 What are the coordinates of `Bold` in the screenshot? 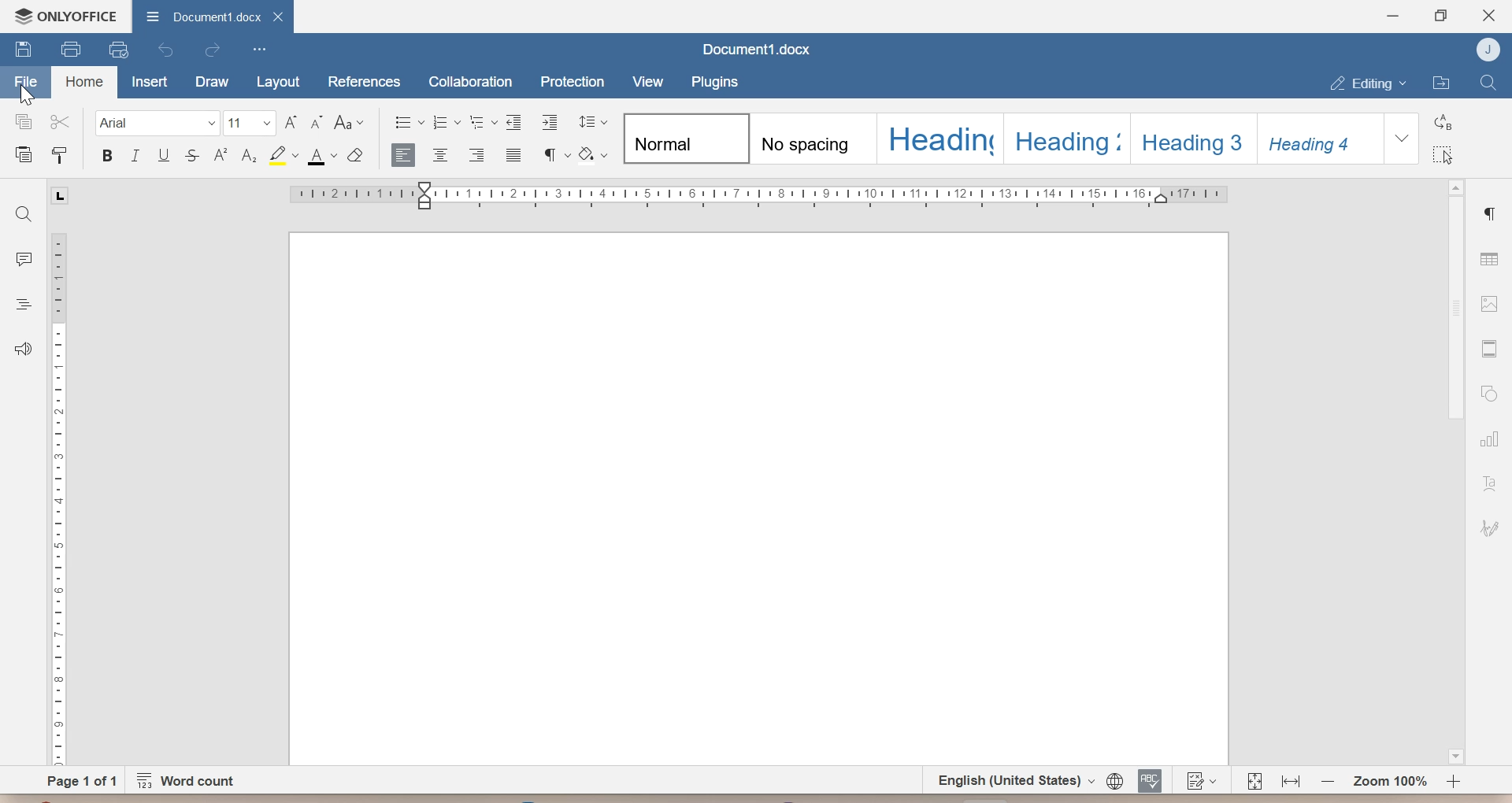 It's located at (108, 157).